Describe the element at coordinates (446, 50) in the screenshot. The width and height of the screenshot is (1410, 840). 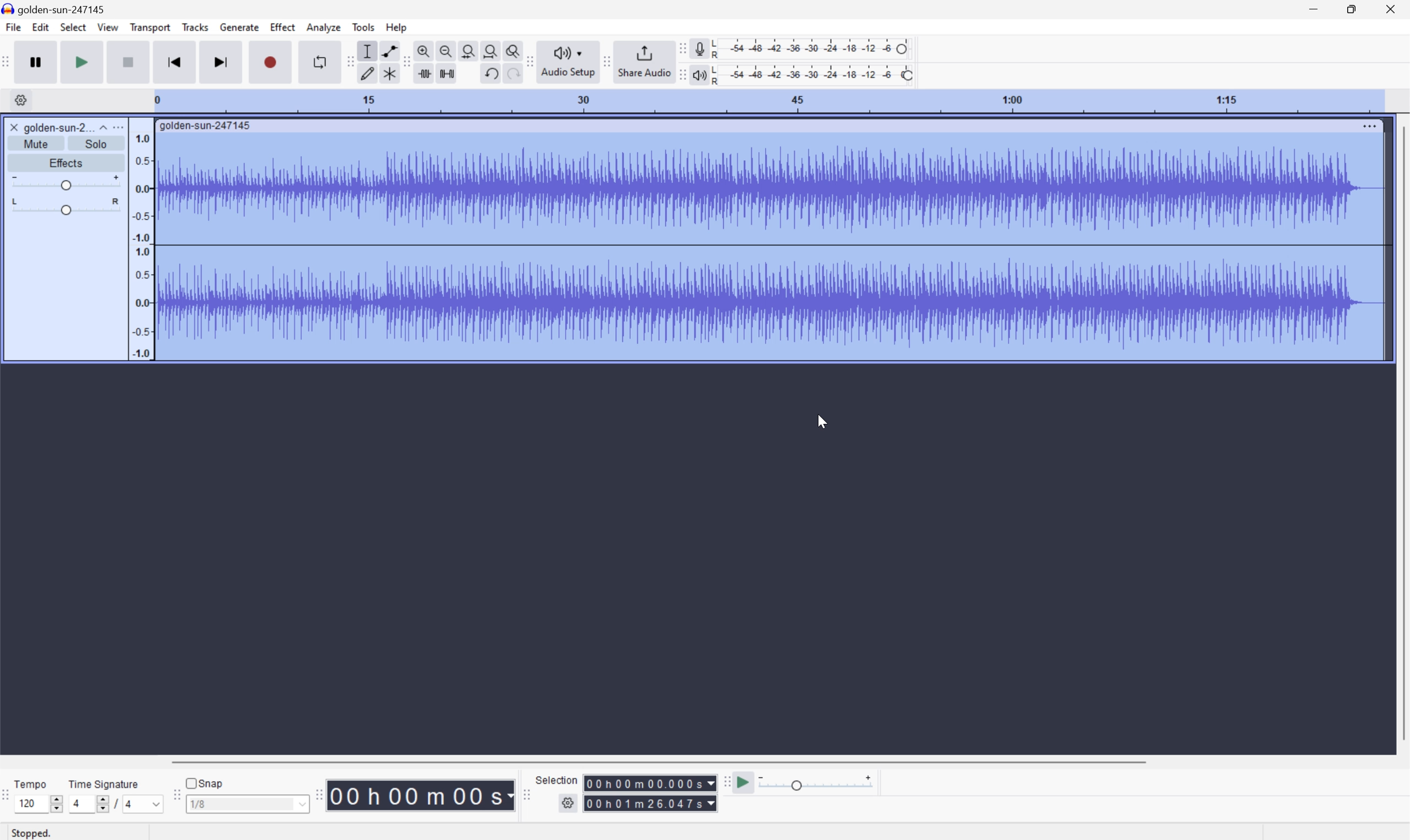
I see `Zoom out` at that location.